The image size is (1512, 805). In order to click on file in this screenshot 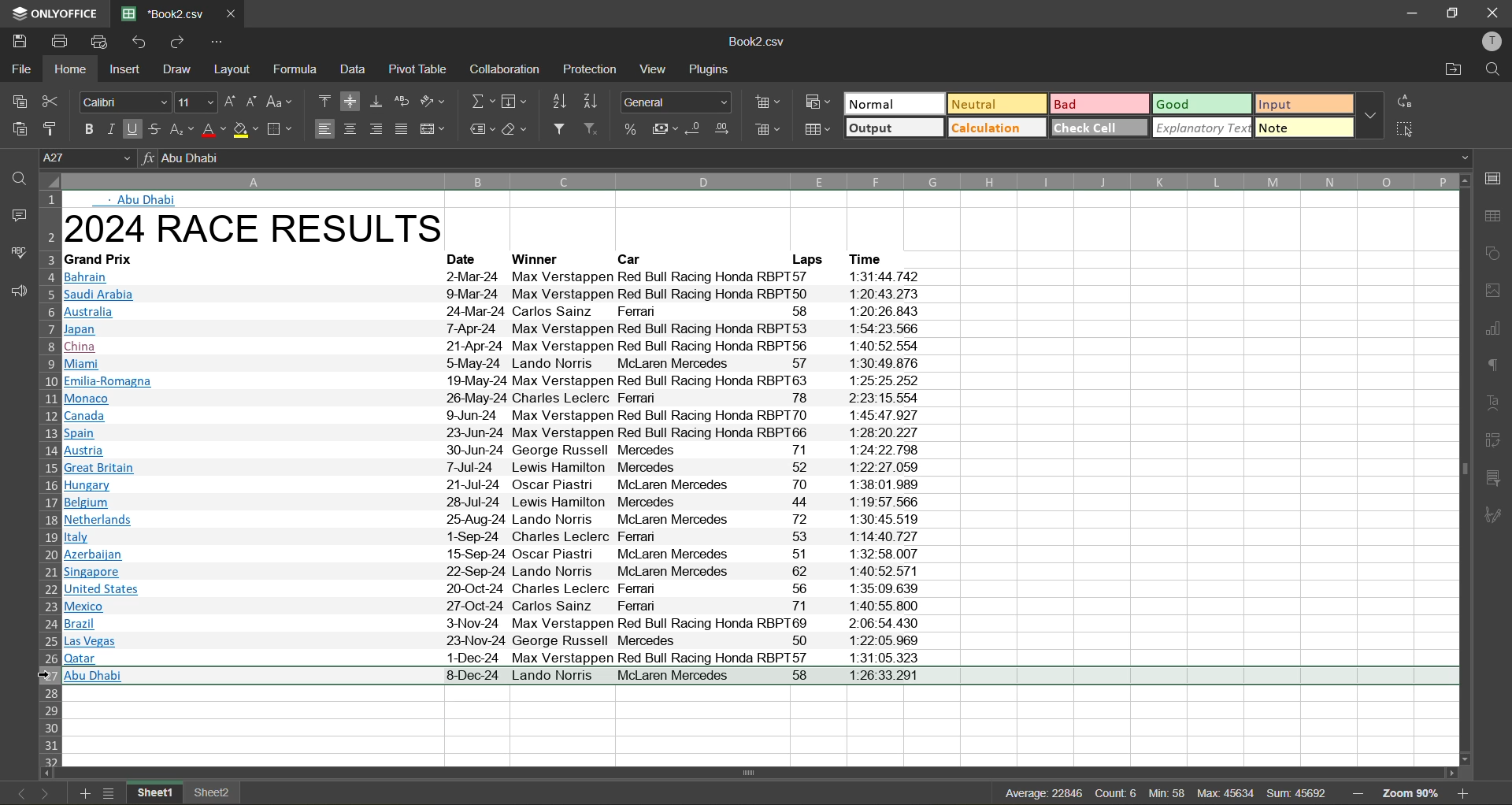, I will do `click(19, 66)`.